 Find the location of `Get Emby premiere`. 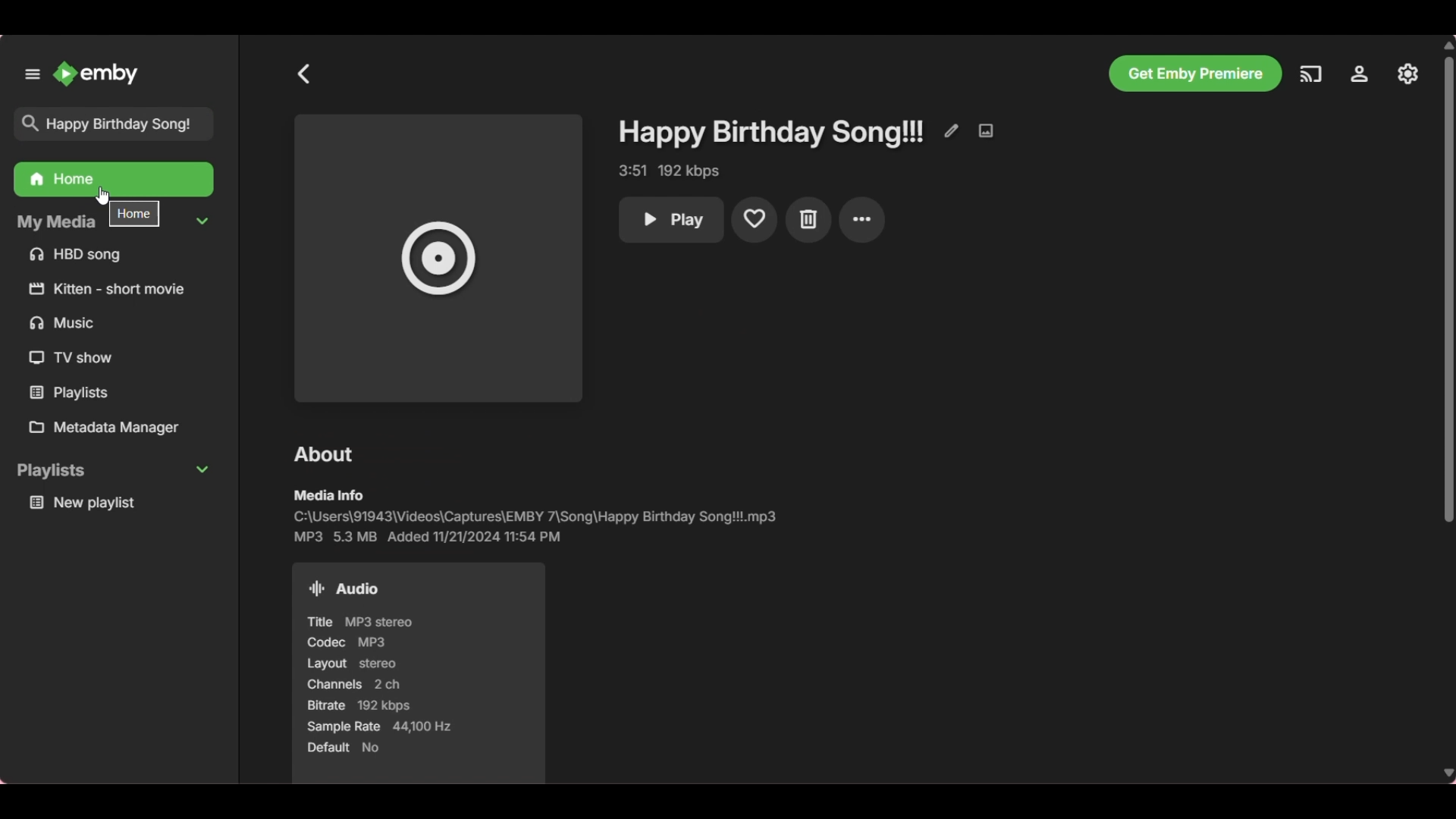

Get Emby premiere is located at coordinates (1195, 74).